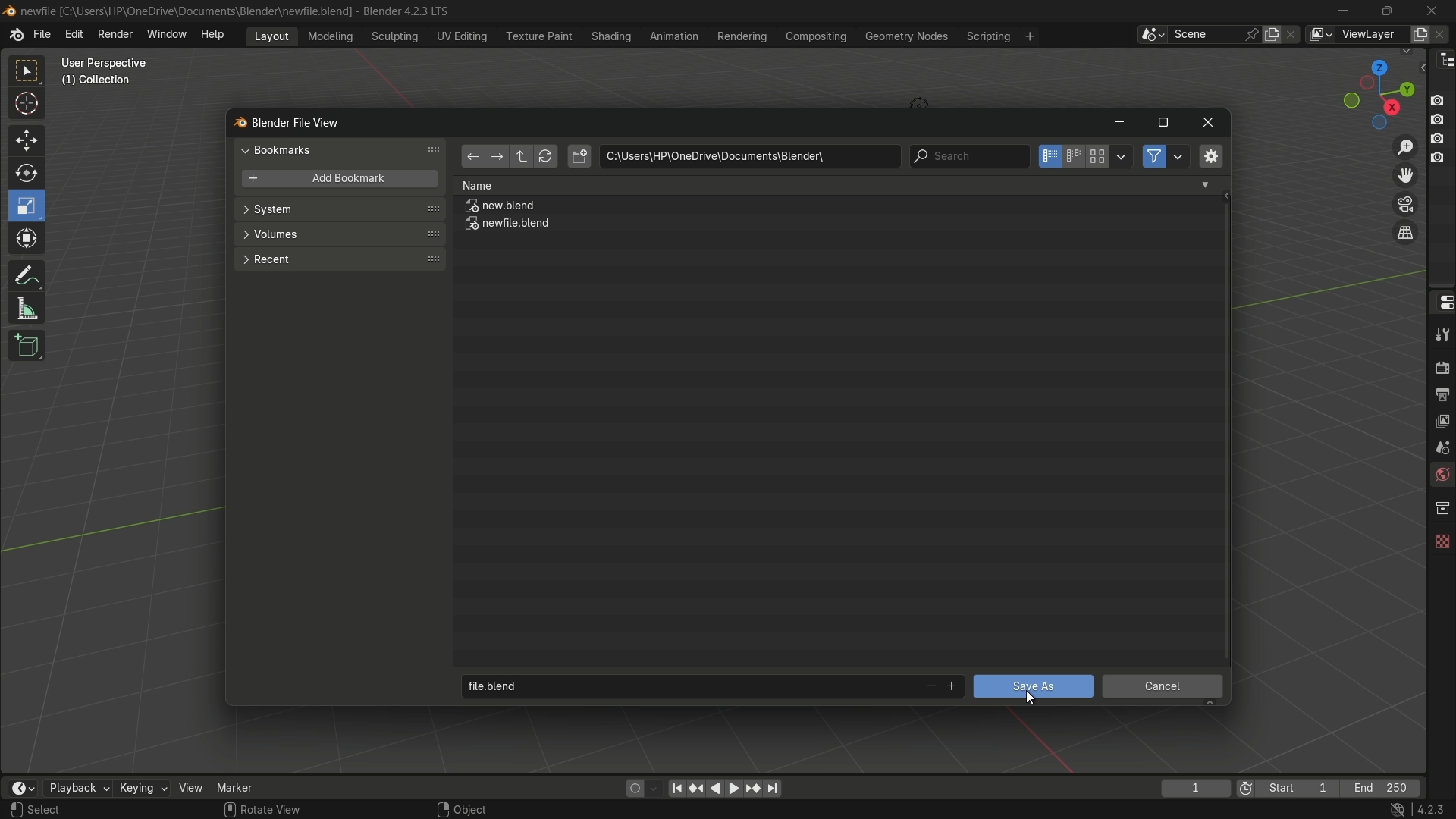 The image size is (1456, 819). What do you see at coordinates (929, 688) in the screenshot?
I see `decrement number in file name` at bounding box center [929, 688].